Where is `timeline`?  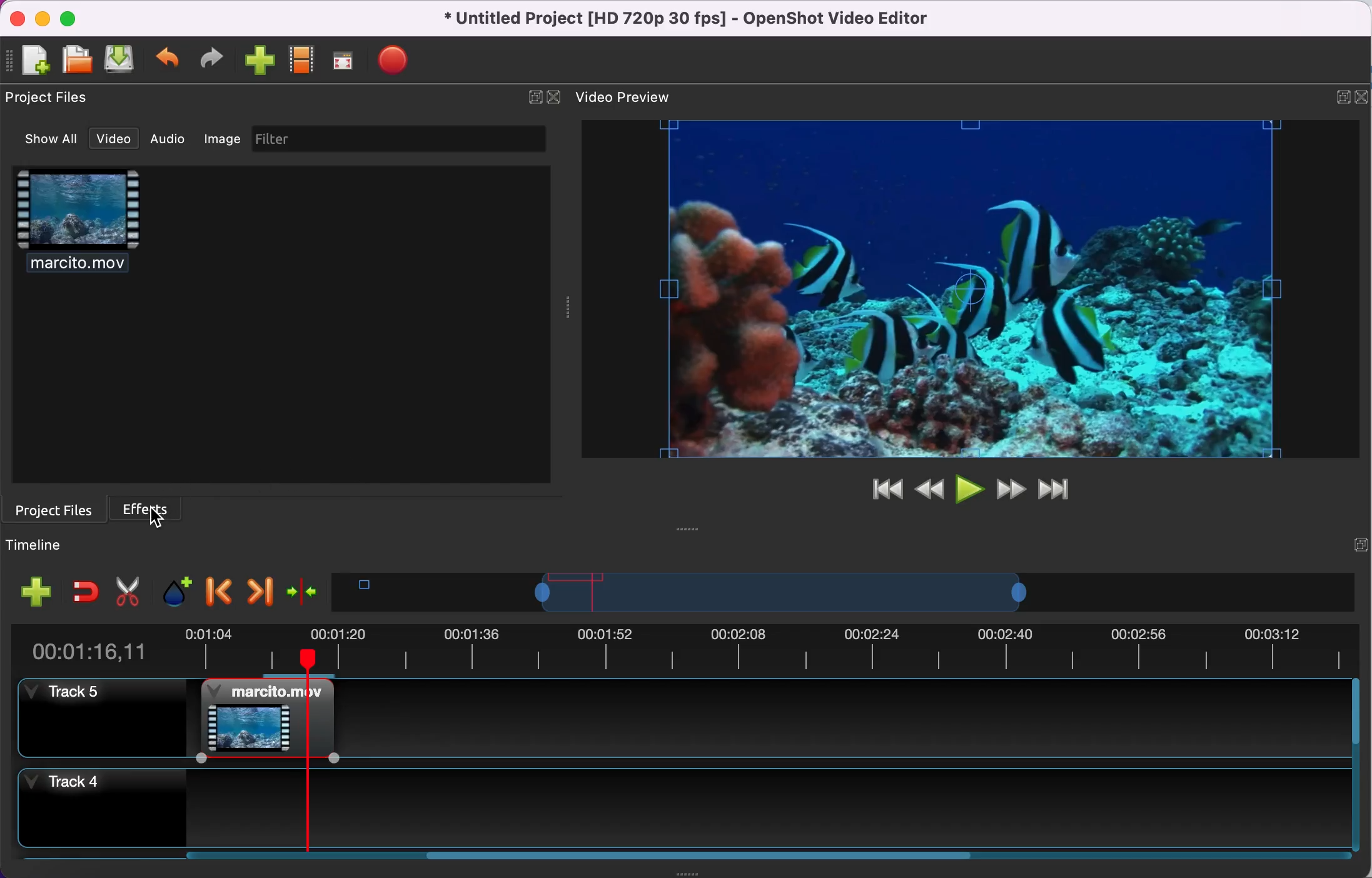 timeline is located at coordinates (67, 544).